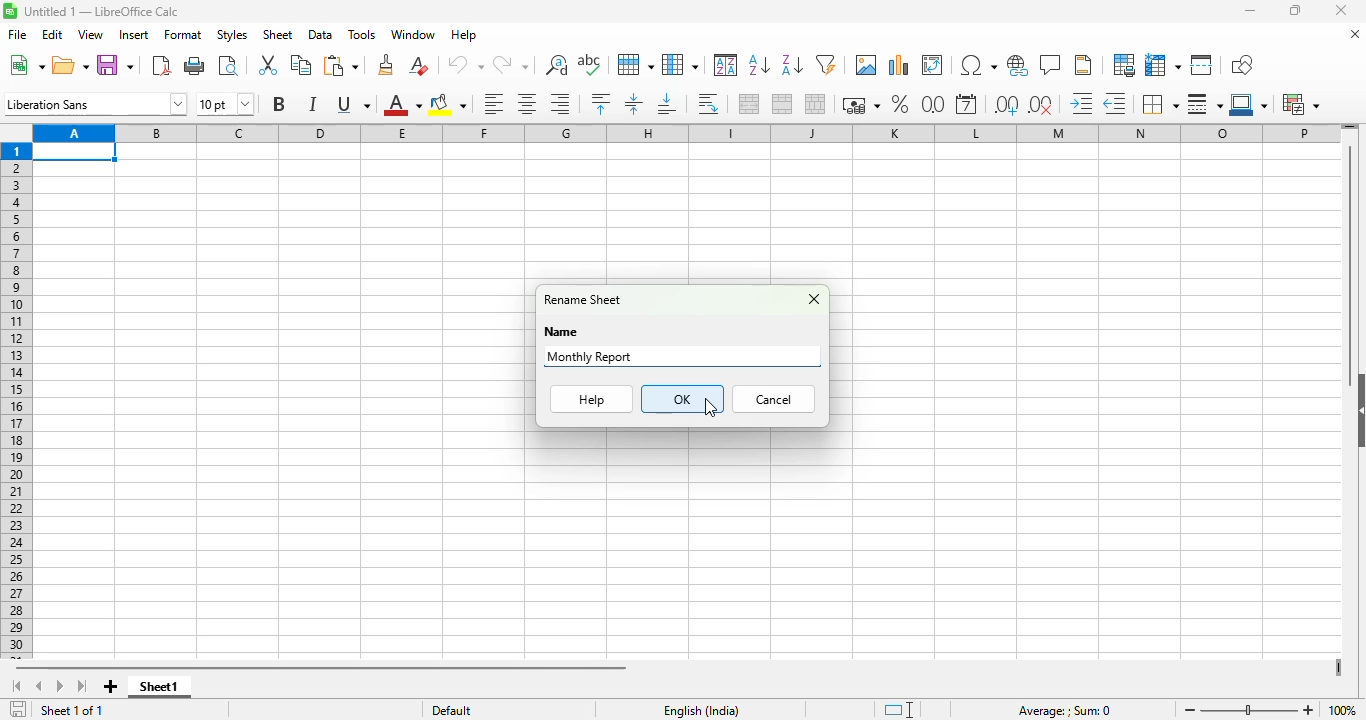 The width and height of the screenshot is (1366, 720). I want to click on add new sheet, so click(111, 687).